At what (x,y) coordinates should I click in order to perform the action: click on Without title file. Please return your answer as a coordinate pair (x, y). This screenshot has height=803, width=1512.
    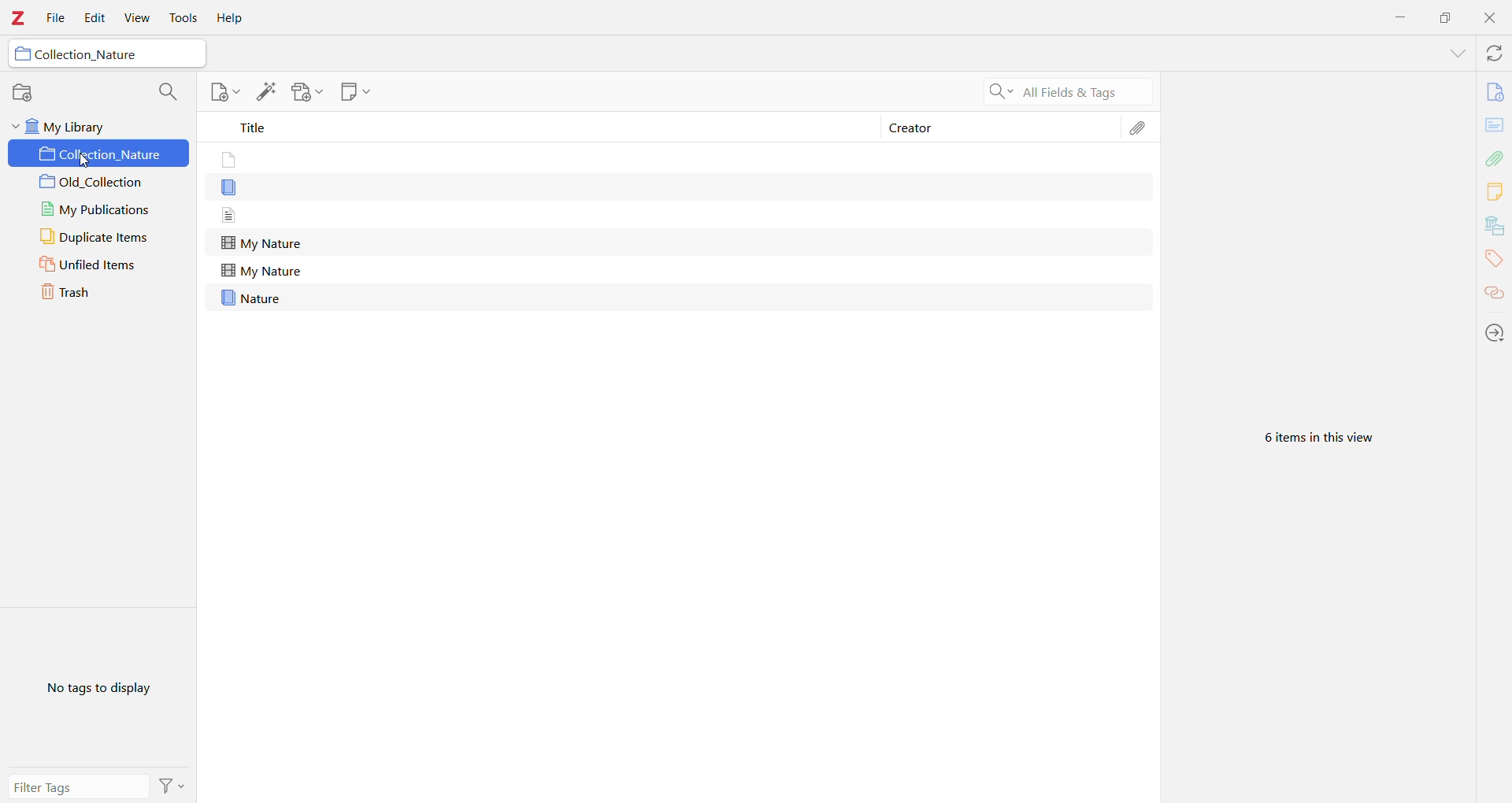
    Looking at the image, I should click on (238, 214).